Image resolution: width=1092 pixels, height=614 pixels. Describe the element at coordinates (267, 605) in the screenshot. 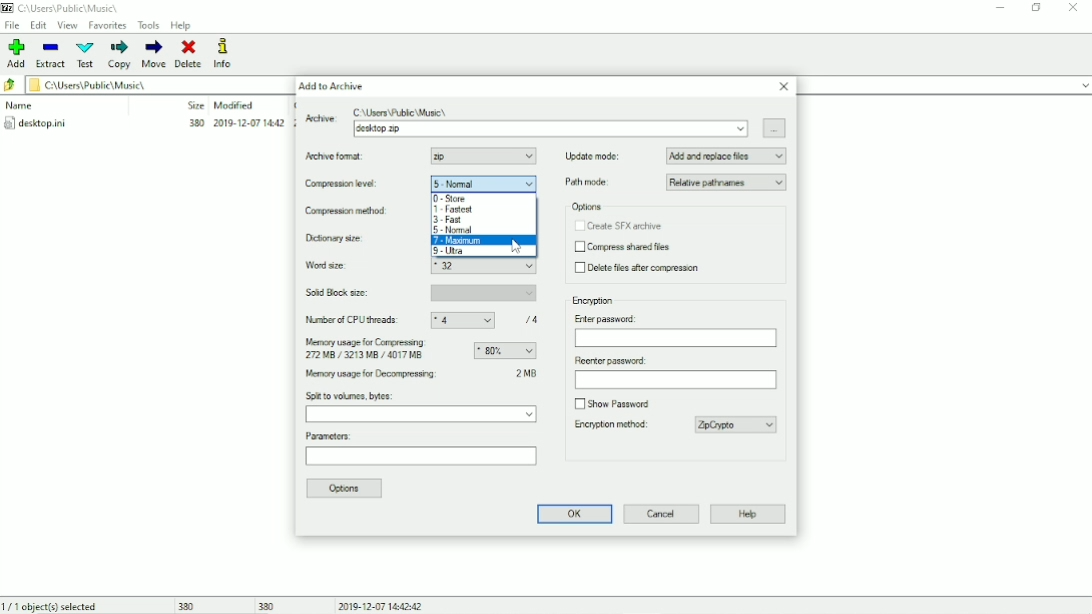

I see `380` at that location.